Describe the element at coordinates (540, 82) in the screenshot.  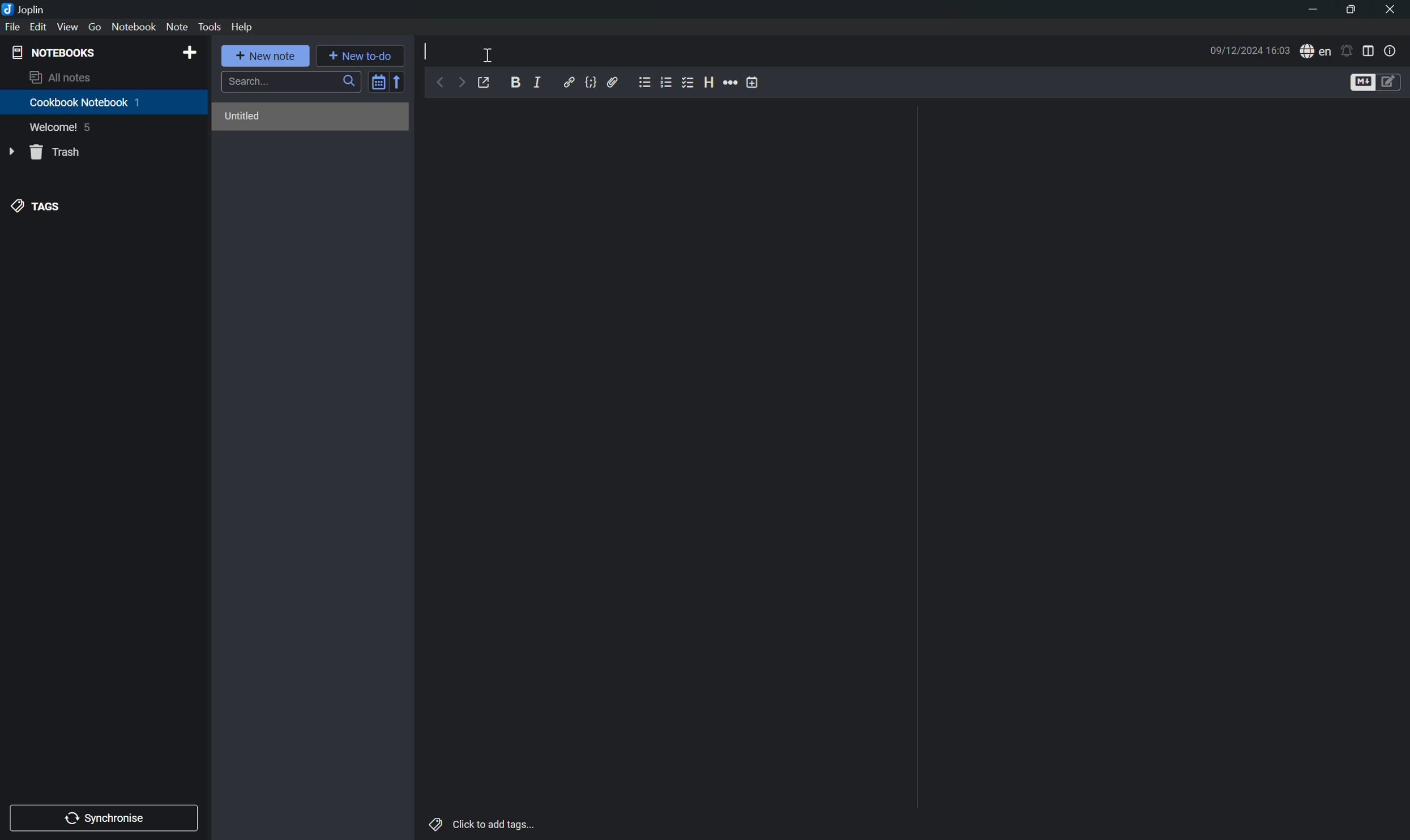
I see `Italic` at that location.